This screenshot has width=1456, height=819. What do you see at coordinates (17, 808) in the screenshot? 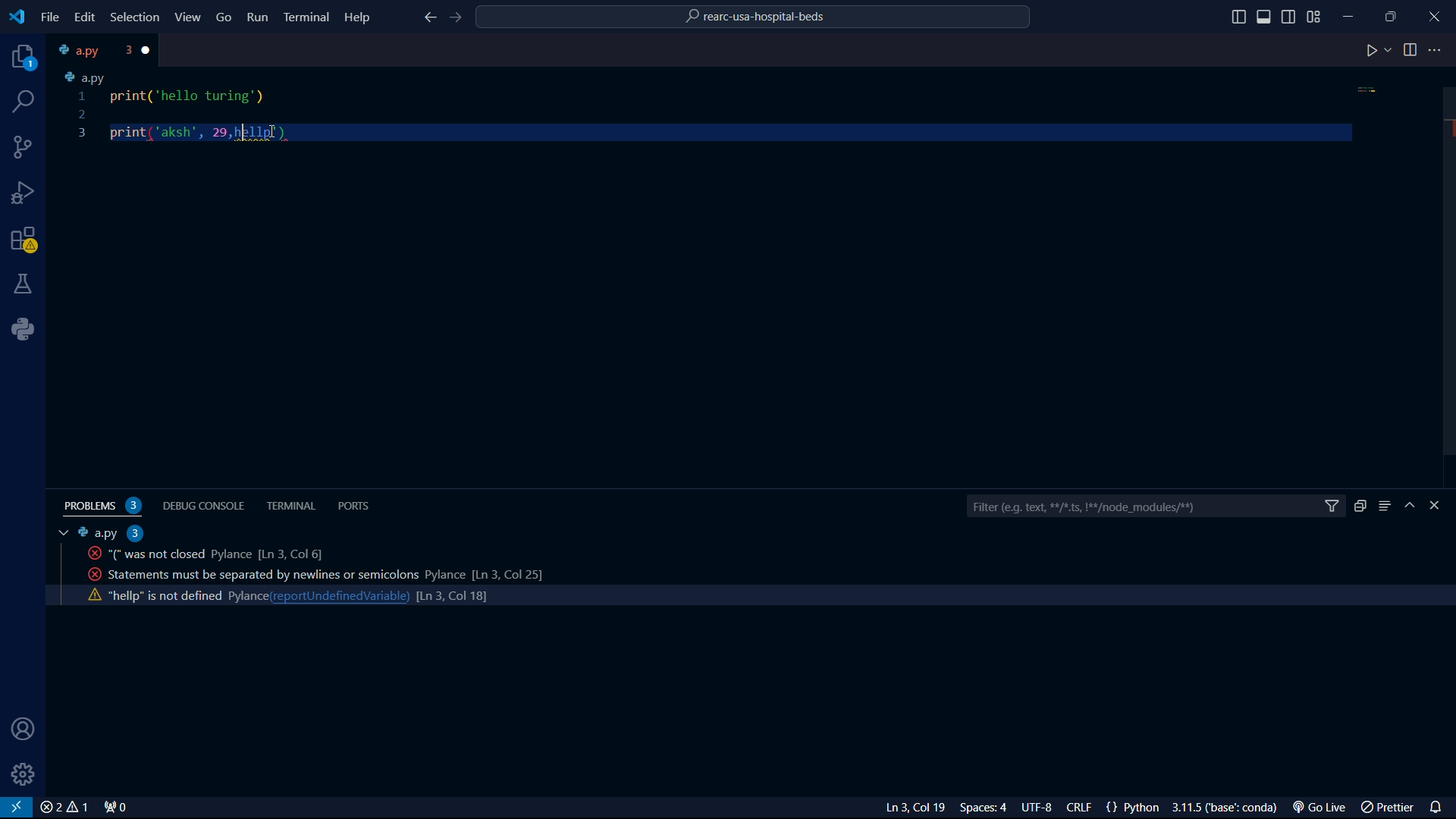
I see `VS` at bounding box center [17, 808].